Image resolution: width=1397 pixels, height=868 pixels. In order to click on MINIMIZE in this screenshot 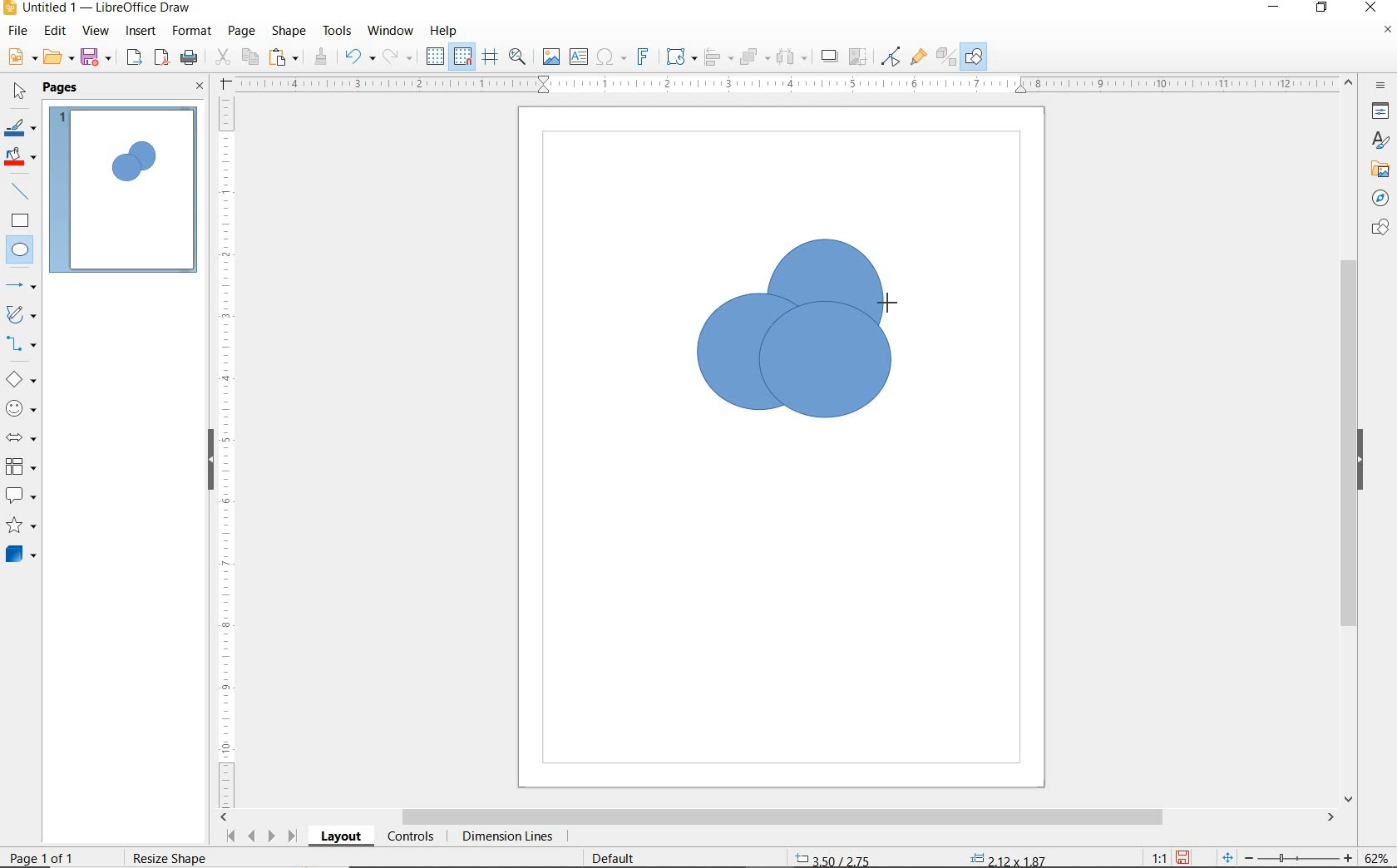, I will do `click(1276, 8)`.